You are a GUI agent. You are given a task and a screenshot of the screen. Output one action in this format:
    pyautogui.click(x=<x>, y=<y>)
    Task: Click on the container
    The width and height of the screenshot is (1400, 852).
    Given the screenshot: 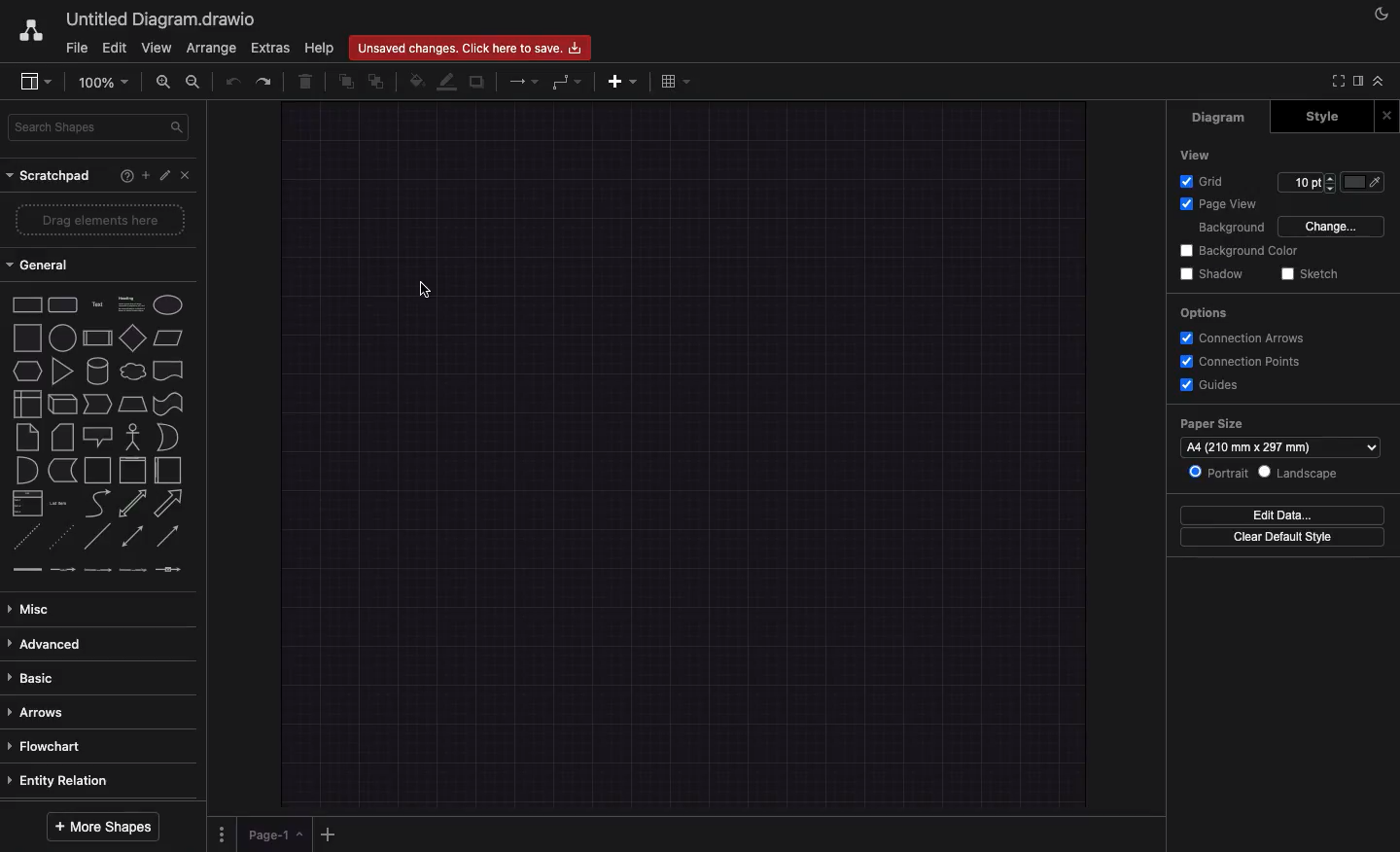 What is the action you would take?
    pyautogui.click(x=96, y=471)
    